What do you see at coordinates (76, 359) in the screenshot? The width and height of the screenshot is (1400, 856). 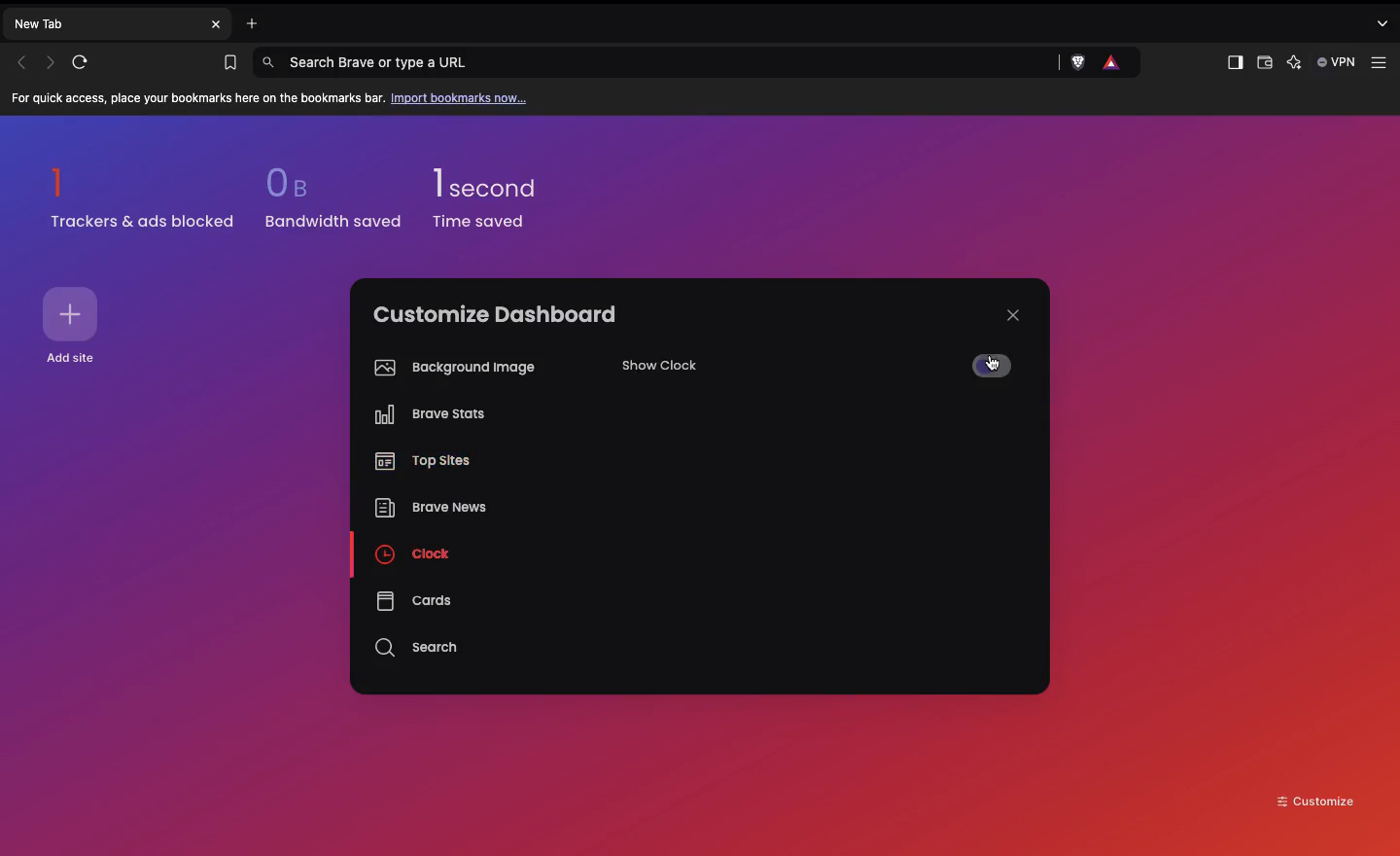 I see `Add site` at bounding box center [76, 359].